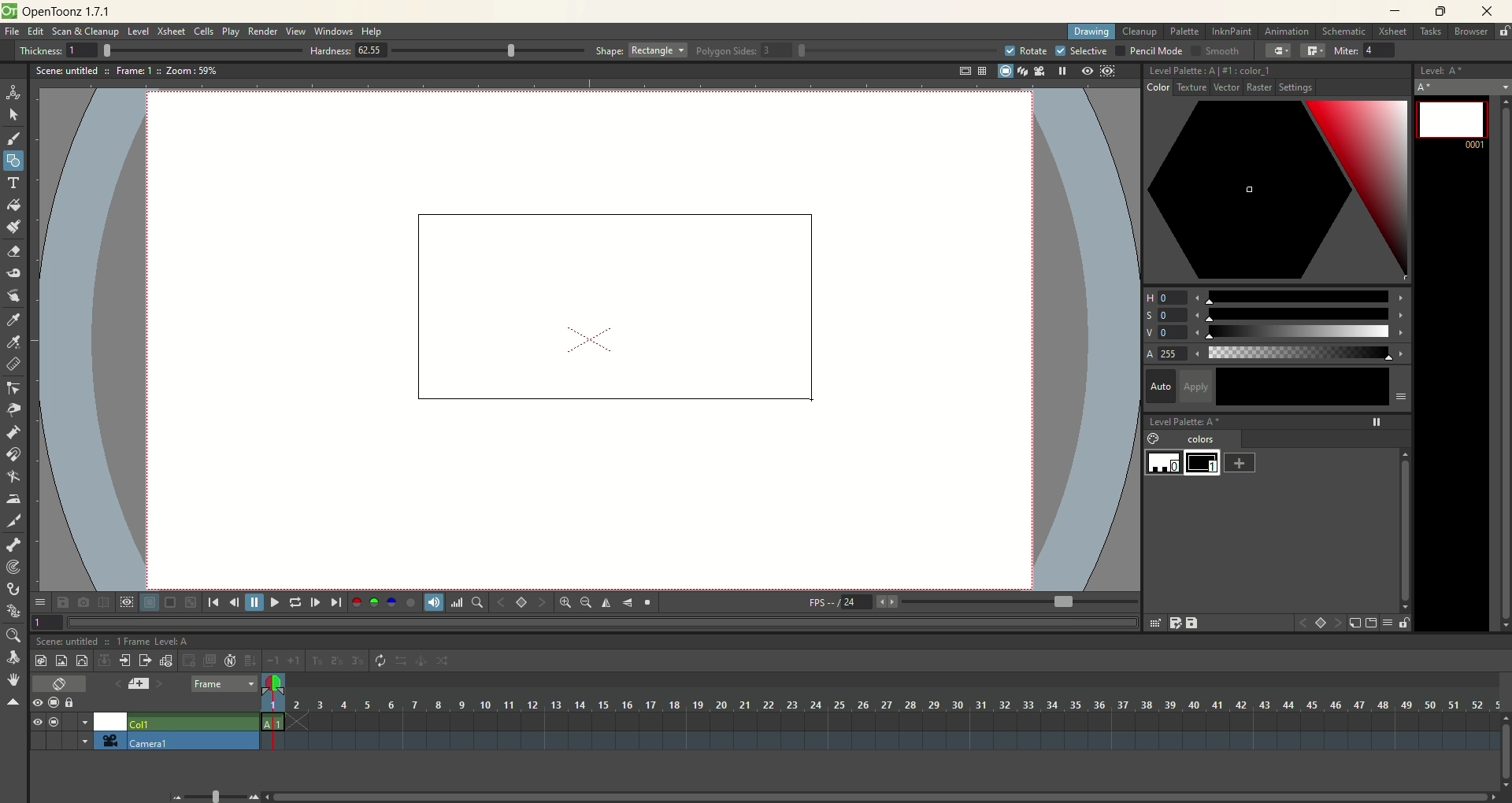 Image resolution: width=1512 pixels, height=803 pixels. Describe the element at coordinates (193, 741) in the screenshot. I see `camera1` at that location.